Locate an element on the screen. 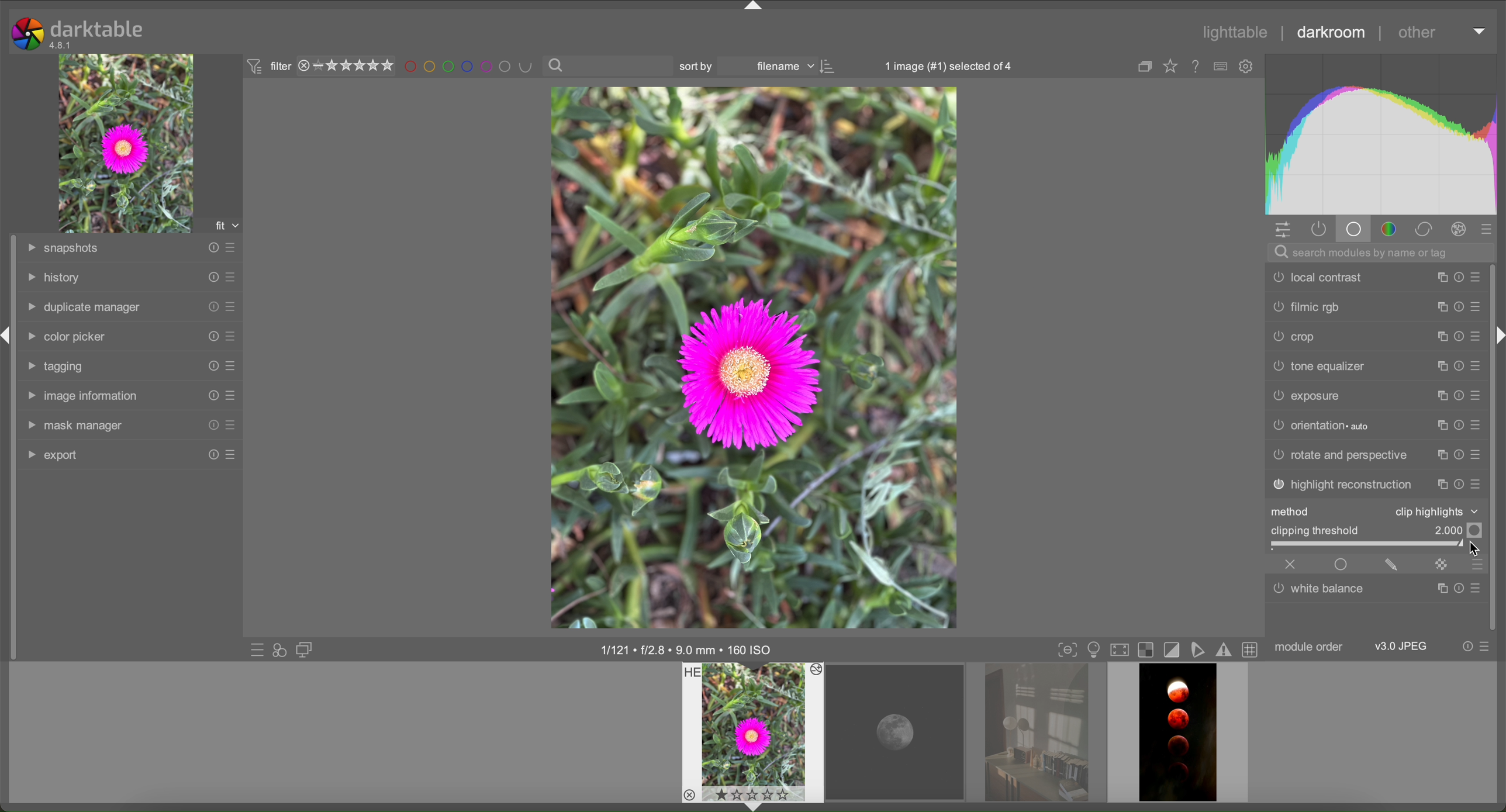 Image resolution: width=1506 pixels, height=812 pixels. presets is located at coordinates (1478, 485).